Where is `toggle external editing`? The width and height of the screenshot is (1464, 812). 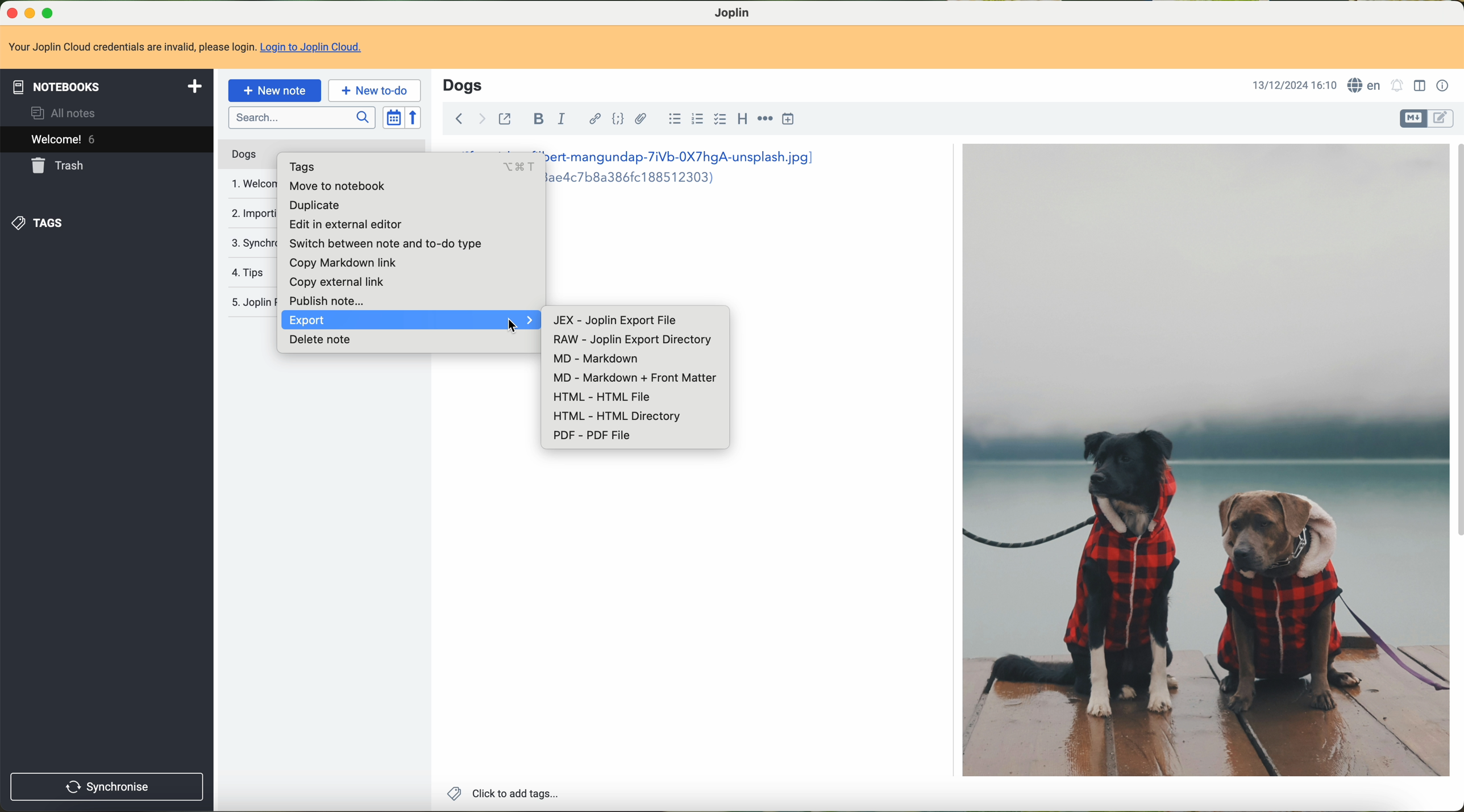 toggle external editing is located at coordinates (506, 118).